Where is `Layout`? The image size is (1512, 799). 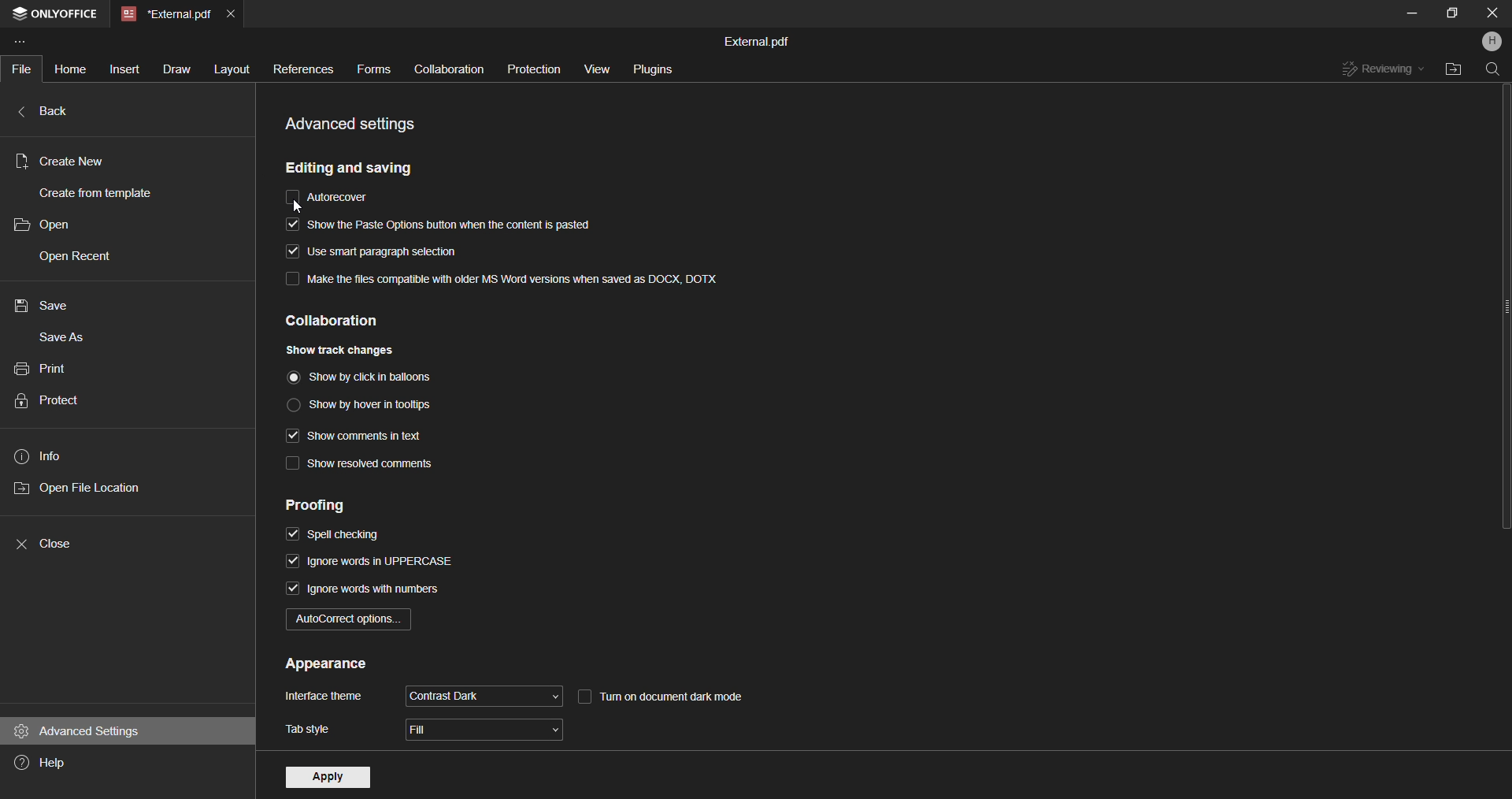
Layout is located at coordinates (228, 68).